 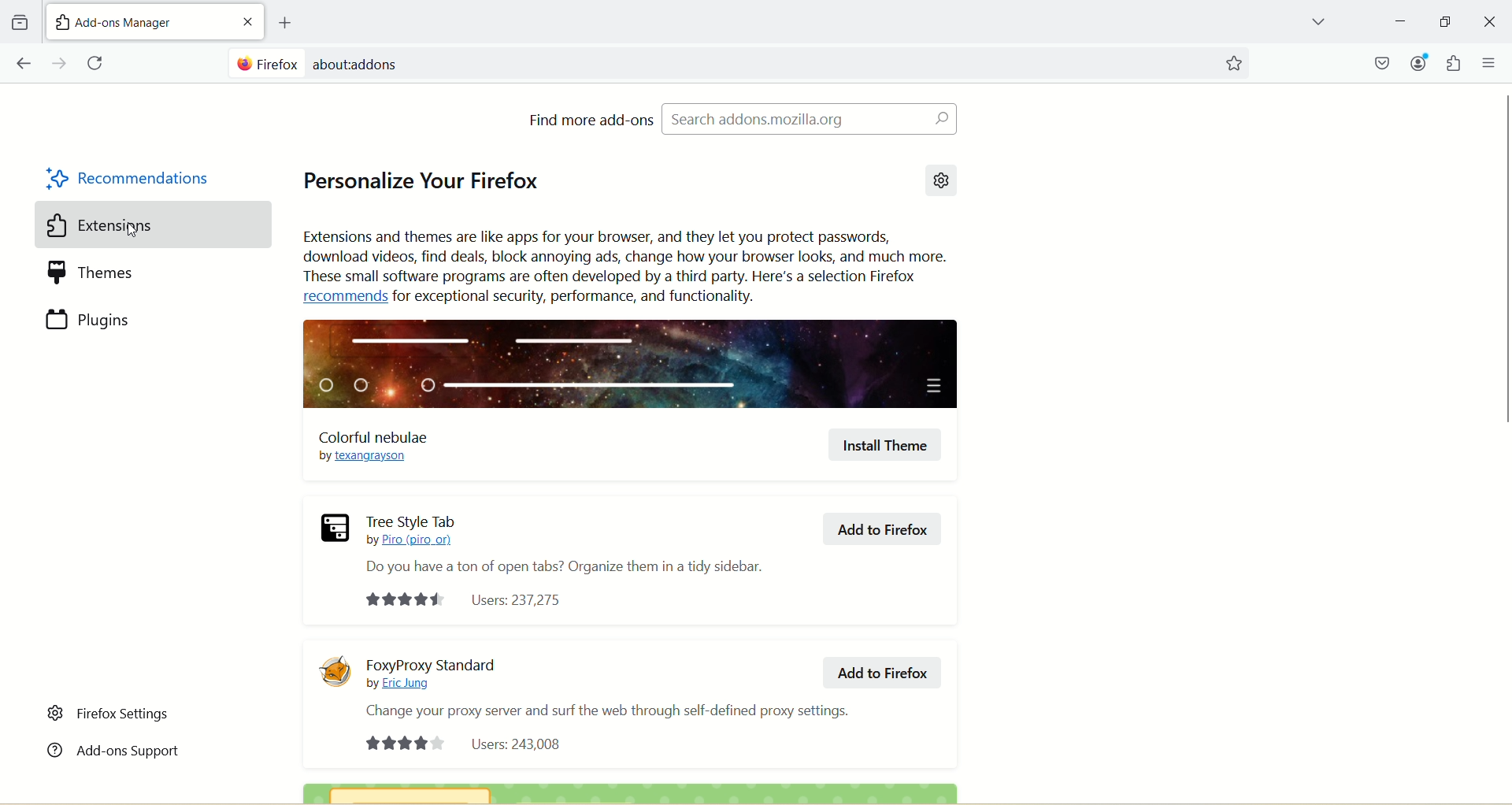 I want to click on Add-ons Support, so click(x=113, y=748).